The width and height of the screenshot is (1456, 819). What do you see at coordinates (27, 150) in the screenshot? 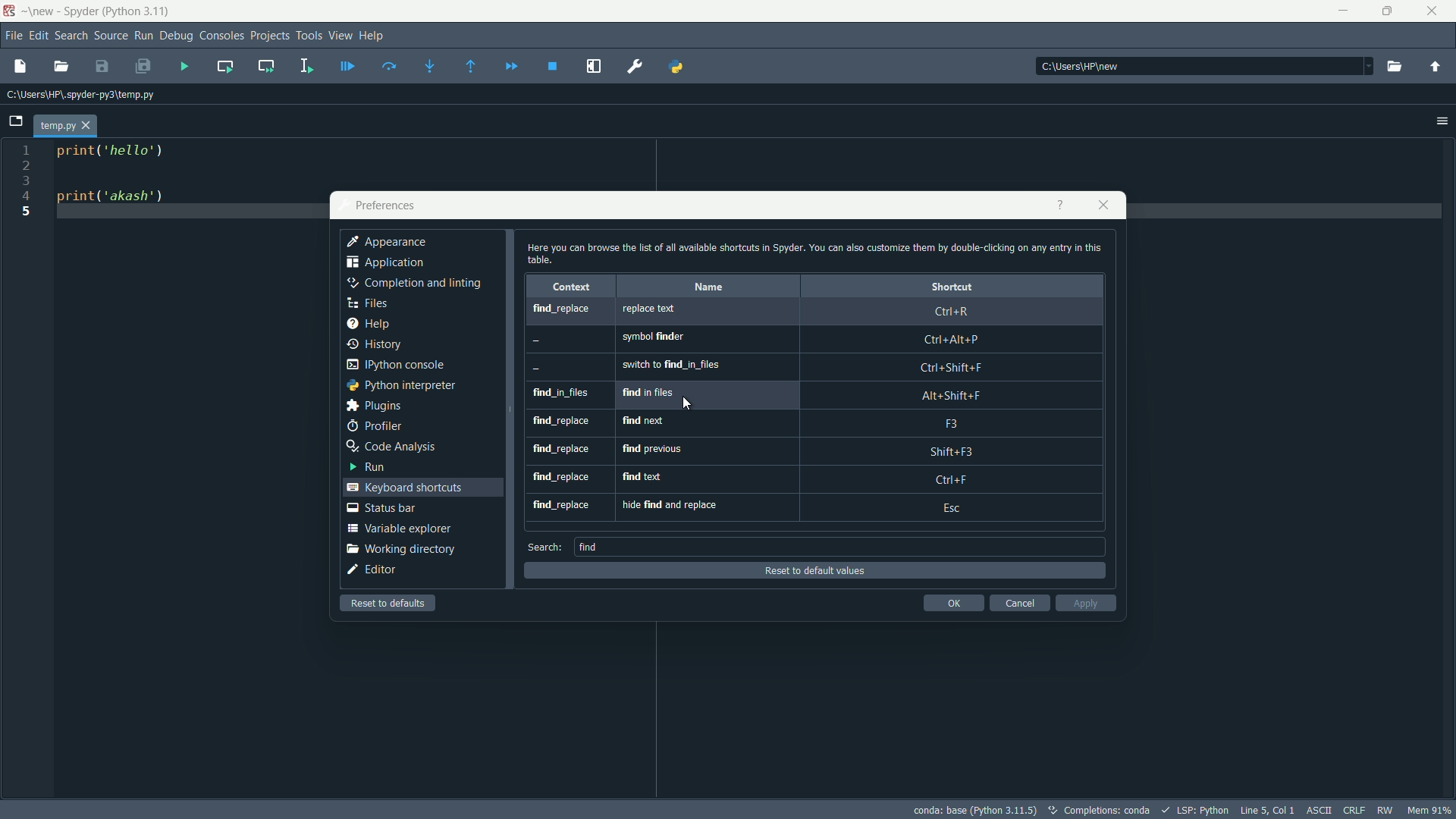
I see `1` at bounding box center [27, 150].